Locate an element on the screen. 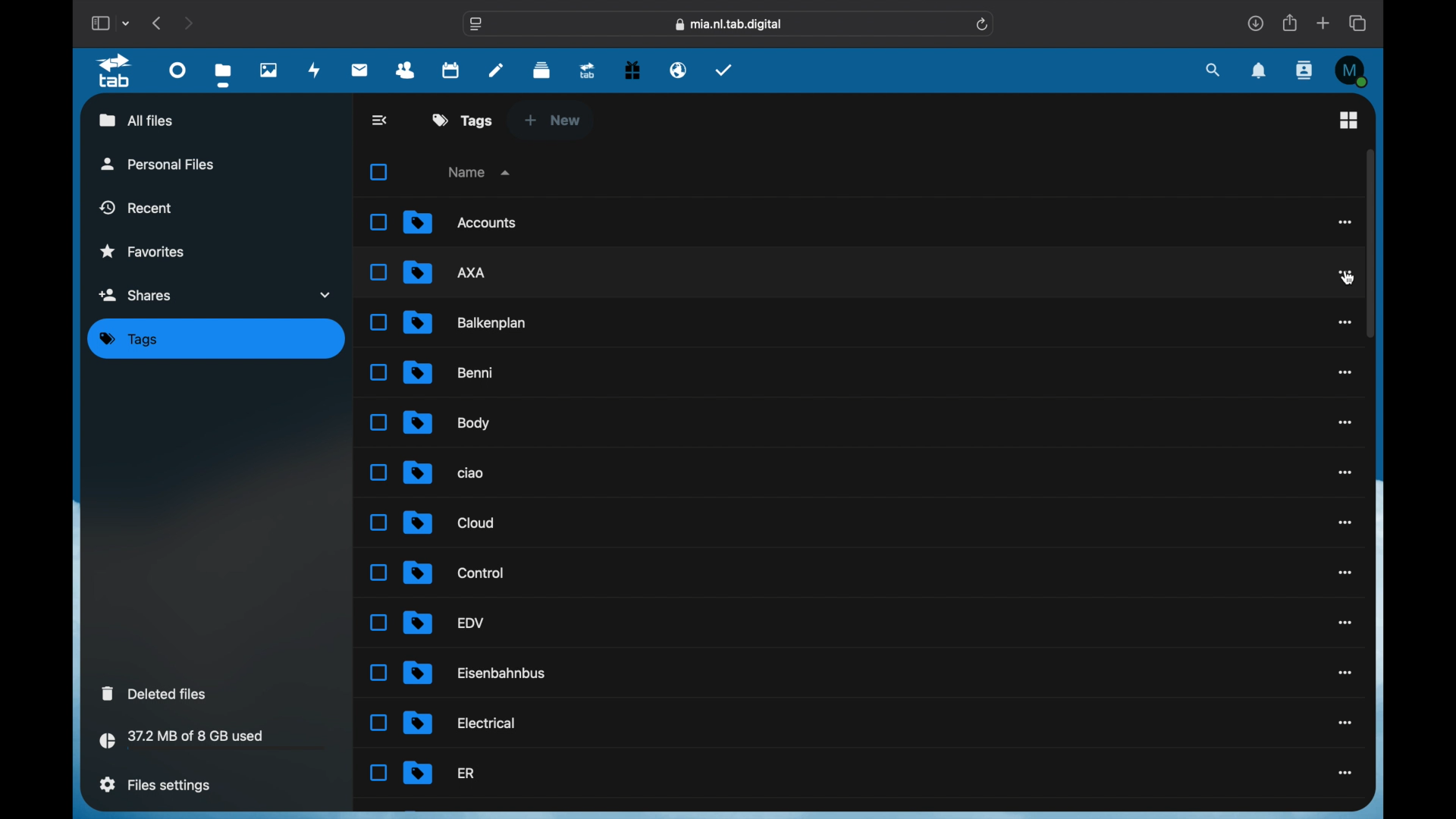 The height and width of the screenshot is (819, 1456). more options is located at coordinates (1343, 221).